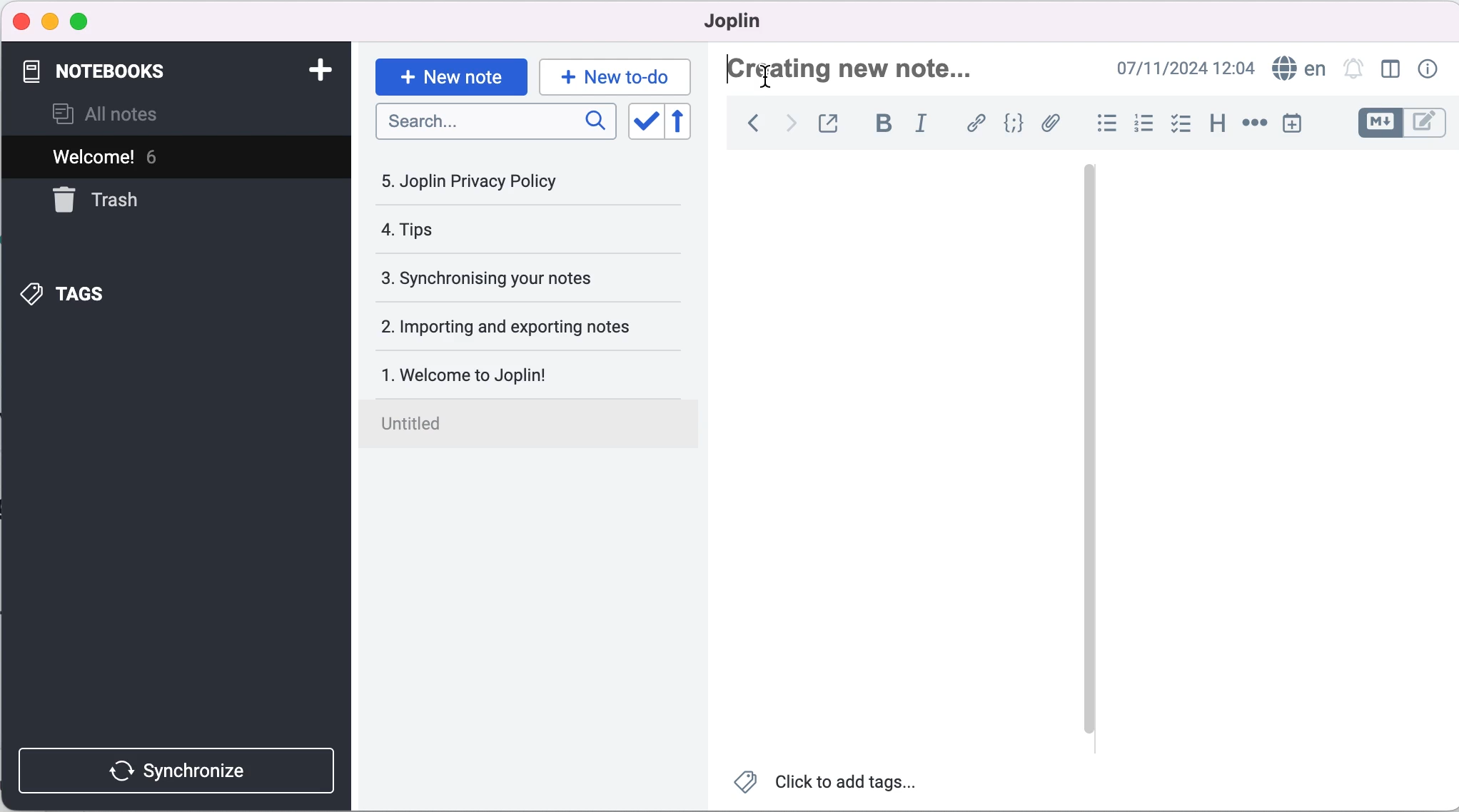  Describe the element at coordinates (525, 280) in the screenshot. I see `synchronising your notes` at that location.